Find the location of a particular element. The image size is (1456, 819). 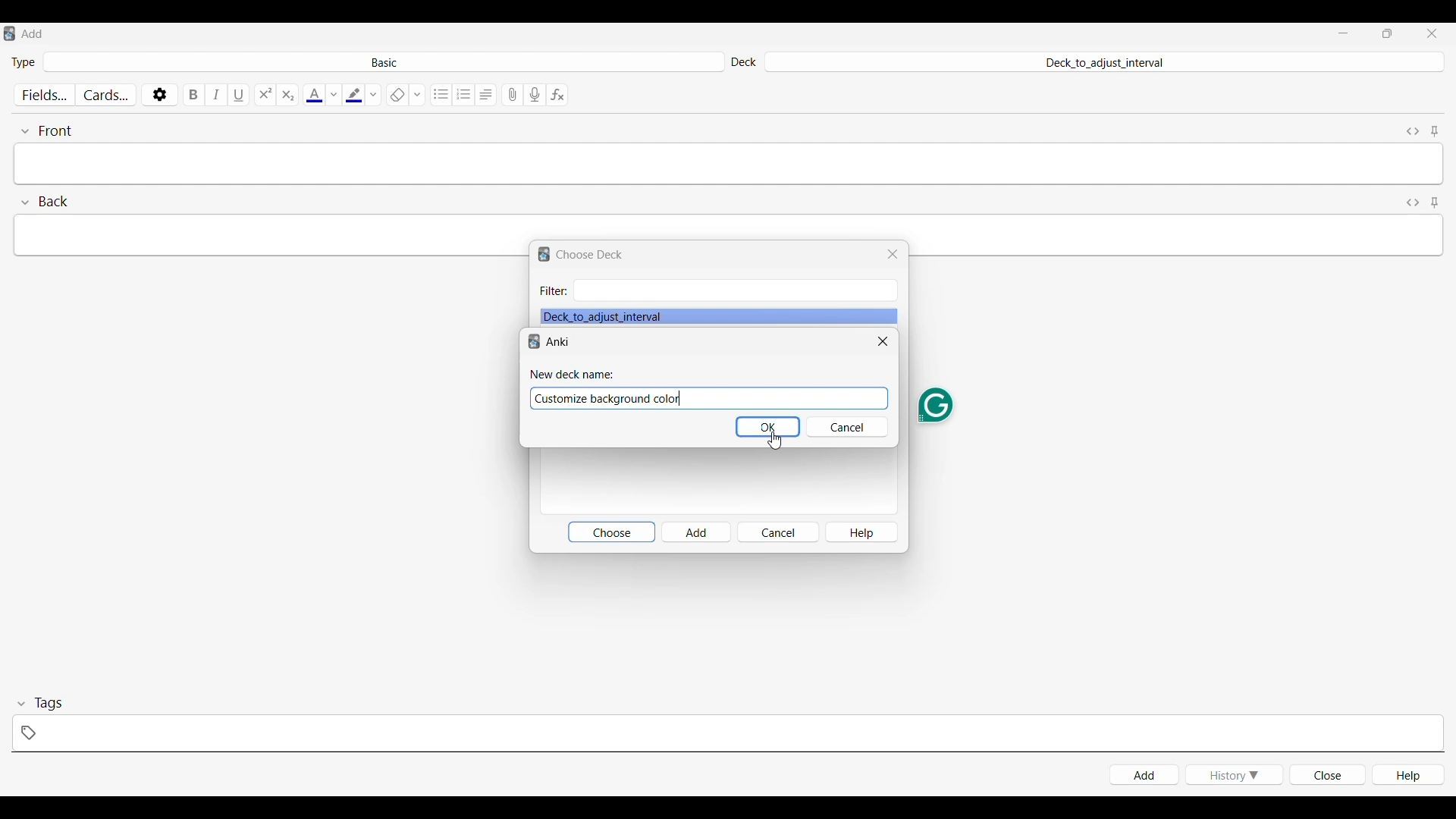

Close window is located at coordinates (892, 254).